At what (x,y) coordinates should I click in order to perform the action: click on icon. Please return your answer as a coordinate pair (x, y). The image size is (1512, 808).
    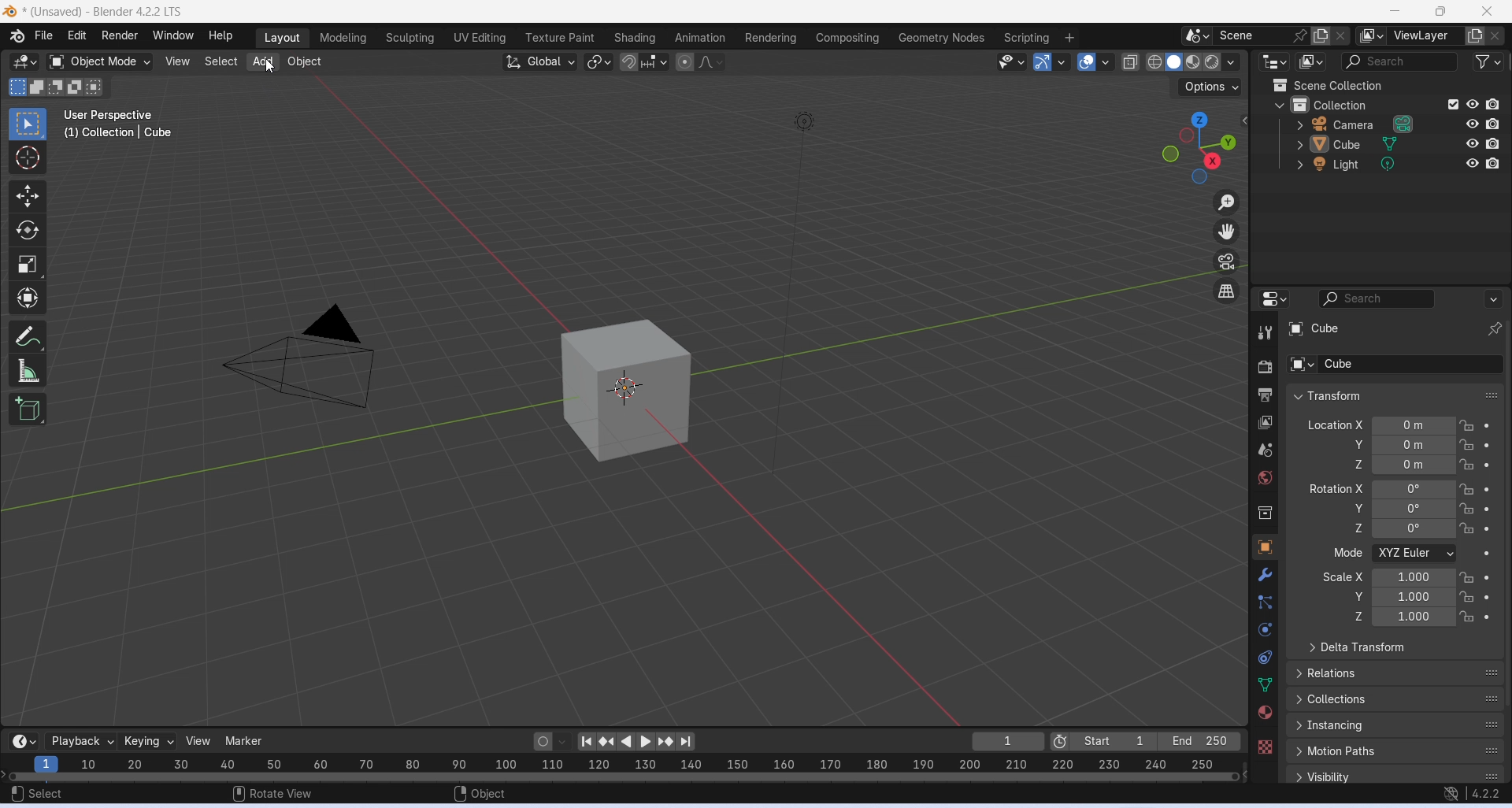
    Looking at the image, I should click on (1279, 85).